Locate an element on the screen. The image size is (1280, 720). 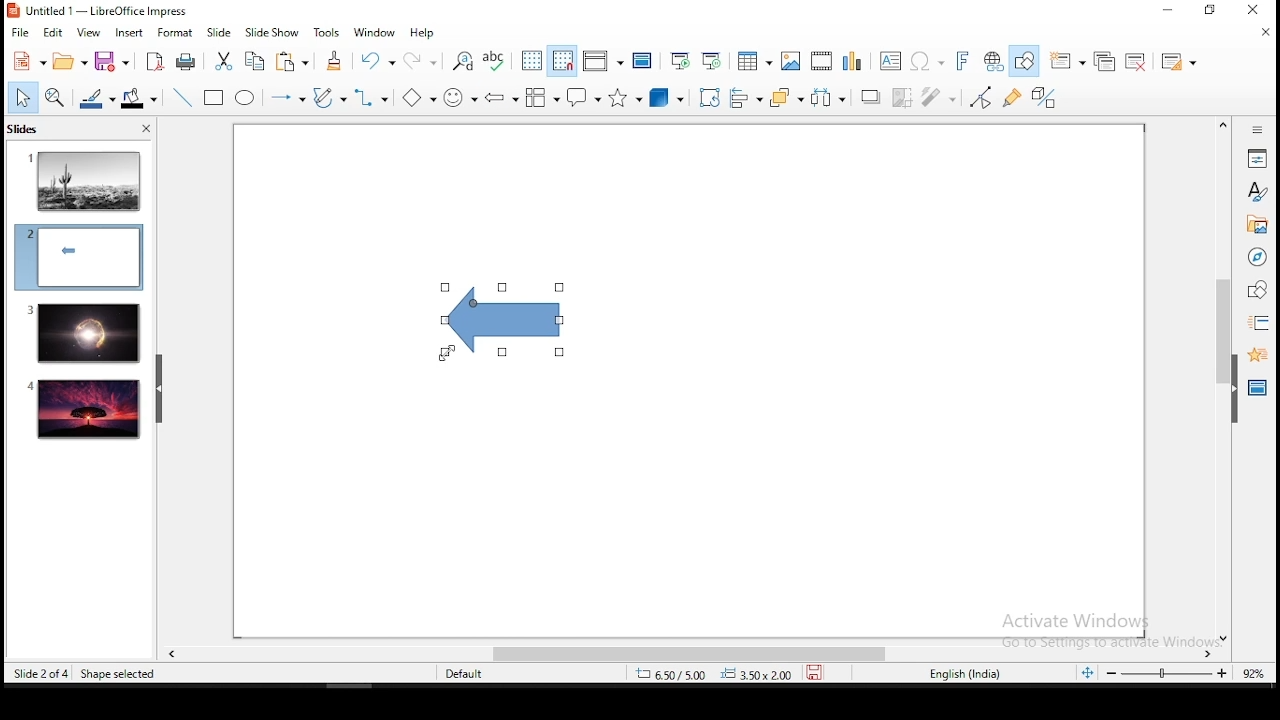
master slides is located at coordinates (1259, 386).